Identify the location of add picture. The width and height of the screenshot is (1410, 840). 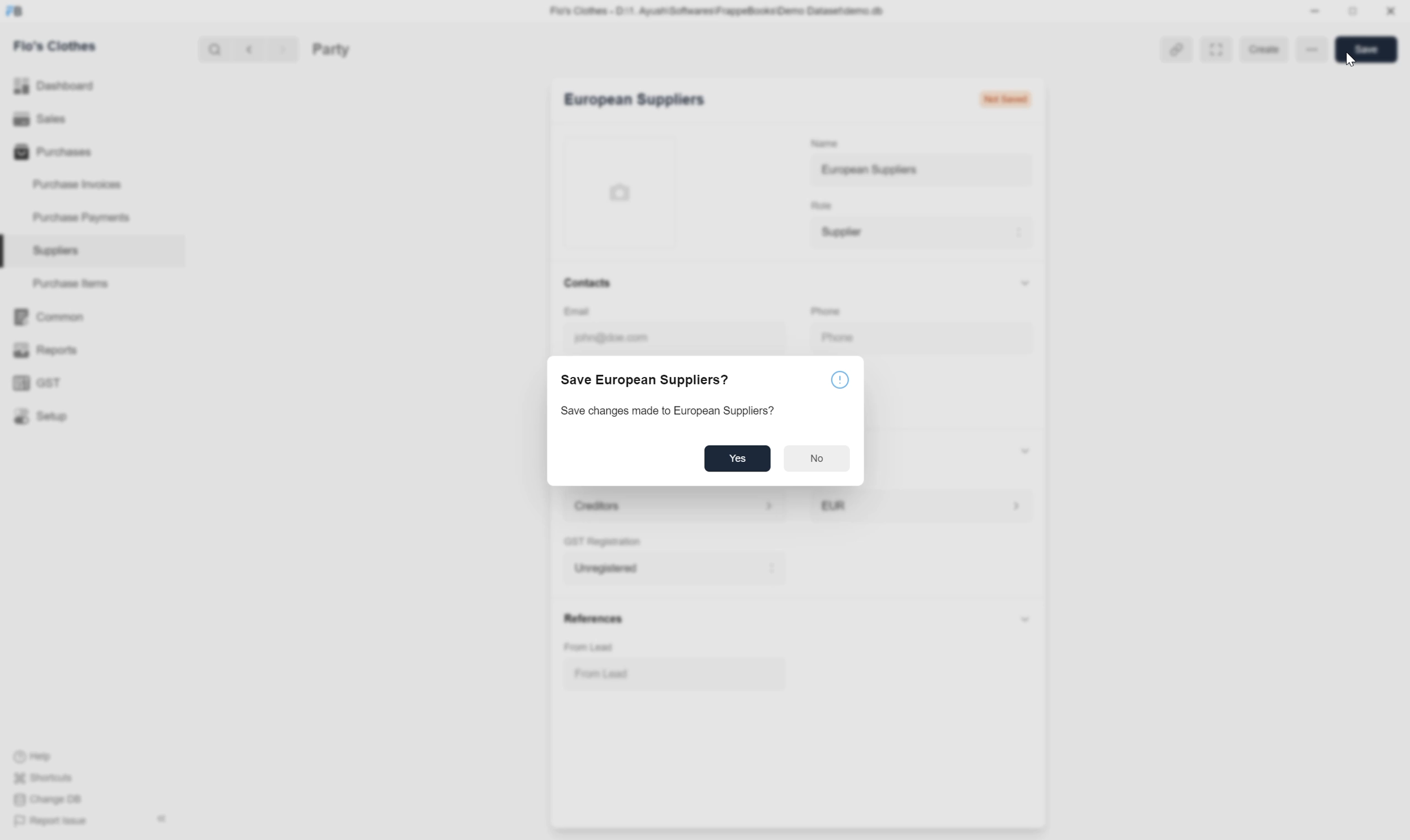
(630, 190).